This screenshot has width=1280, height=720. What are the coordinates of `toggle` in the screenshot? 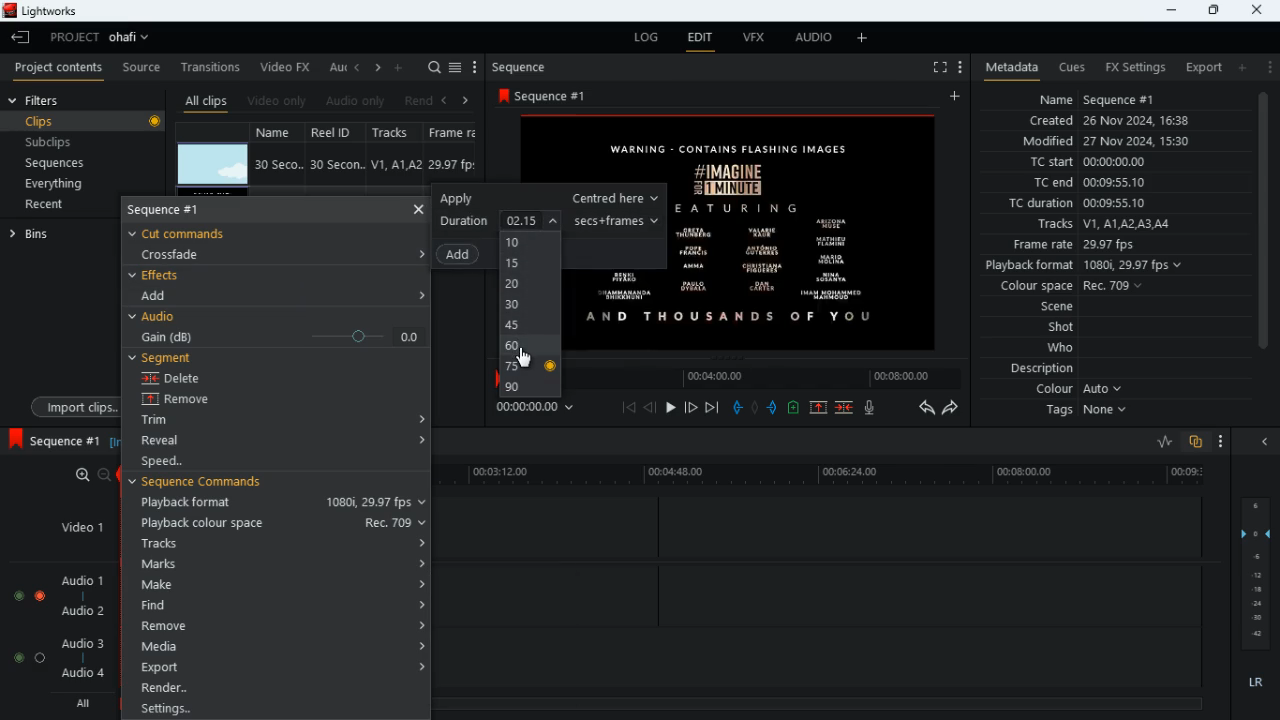 It's located at (41, 657).